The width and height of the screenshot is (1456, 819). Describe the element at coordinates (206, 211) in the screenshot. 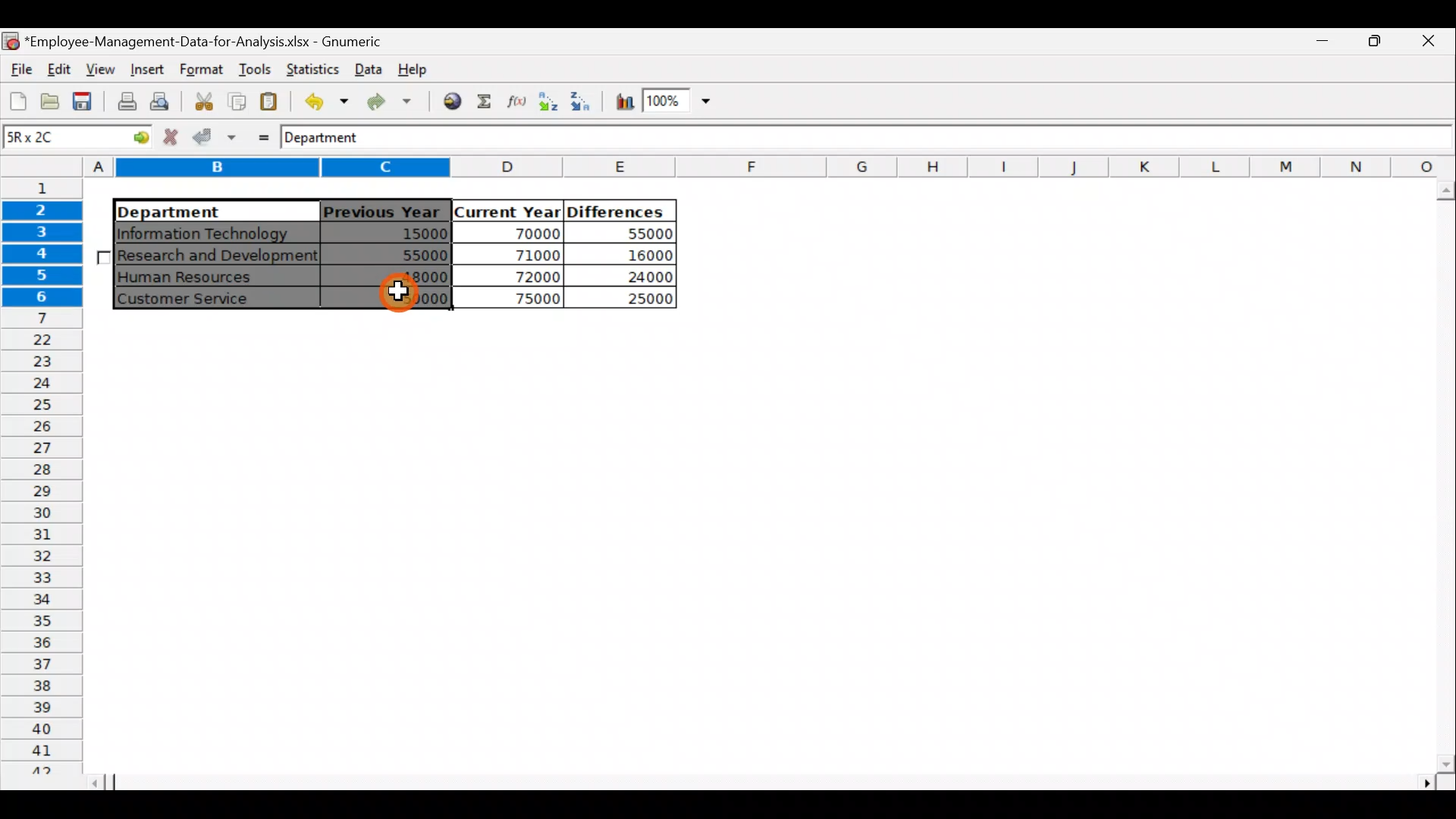

I see `Department` at that location.